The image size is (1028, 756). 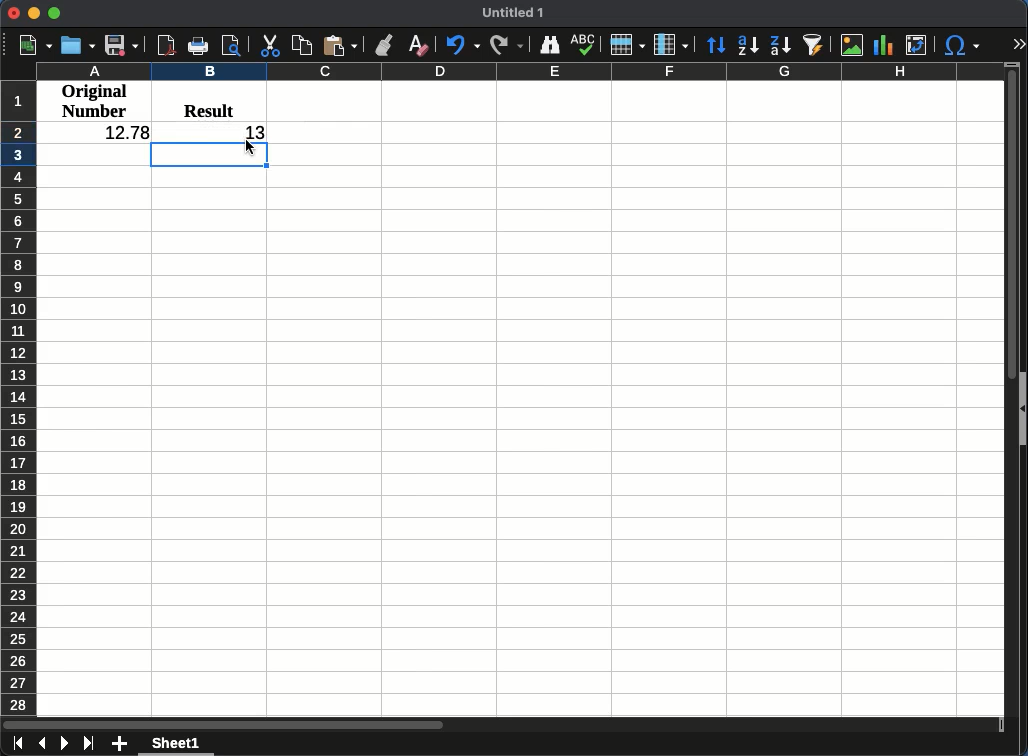 What do you see at coordinates (89, 743) in the screenshot?
I see `last sheet` at bounding box center [89, 743].